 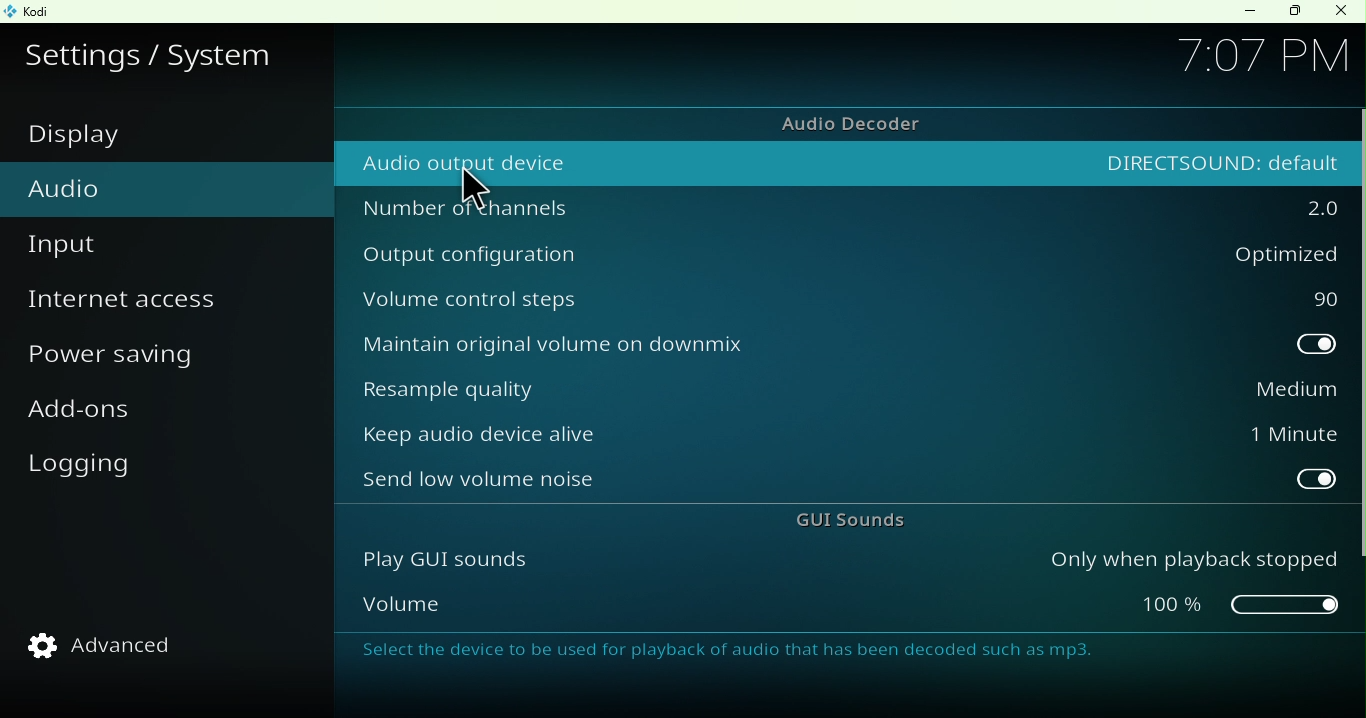 I want to click on 7:07 PM, so click(x=1260, y=60).